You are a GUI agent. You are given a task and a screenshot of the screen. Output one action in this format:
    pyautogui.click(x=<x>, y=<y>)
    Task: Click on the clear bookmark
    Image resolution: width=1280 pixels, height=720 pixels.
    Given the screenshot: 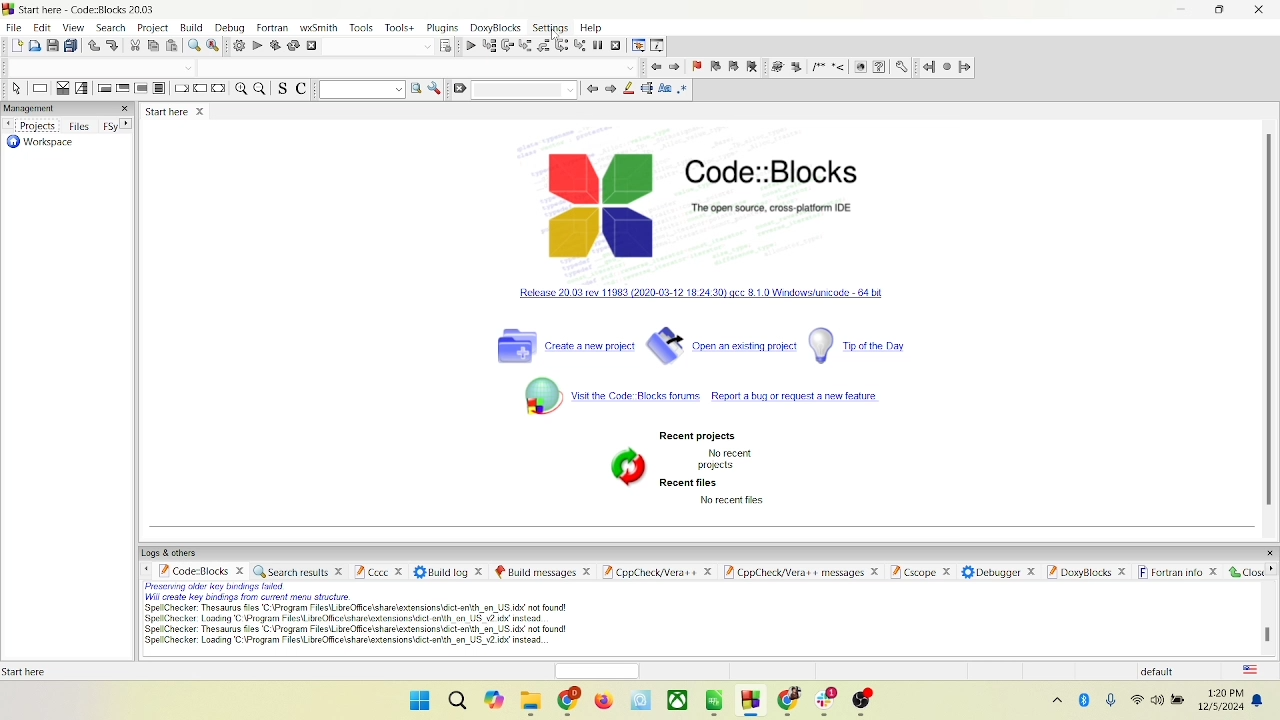 What is the action you would take?
    pyautogui.click(x=752, y=65)
    